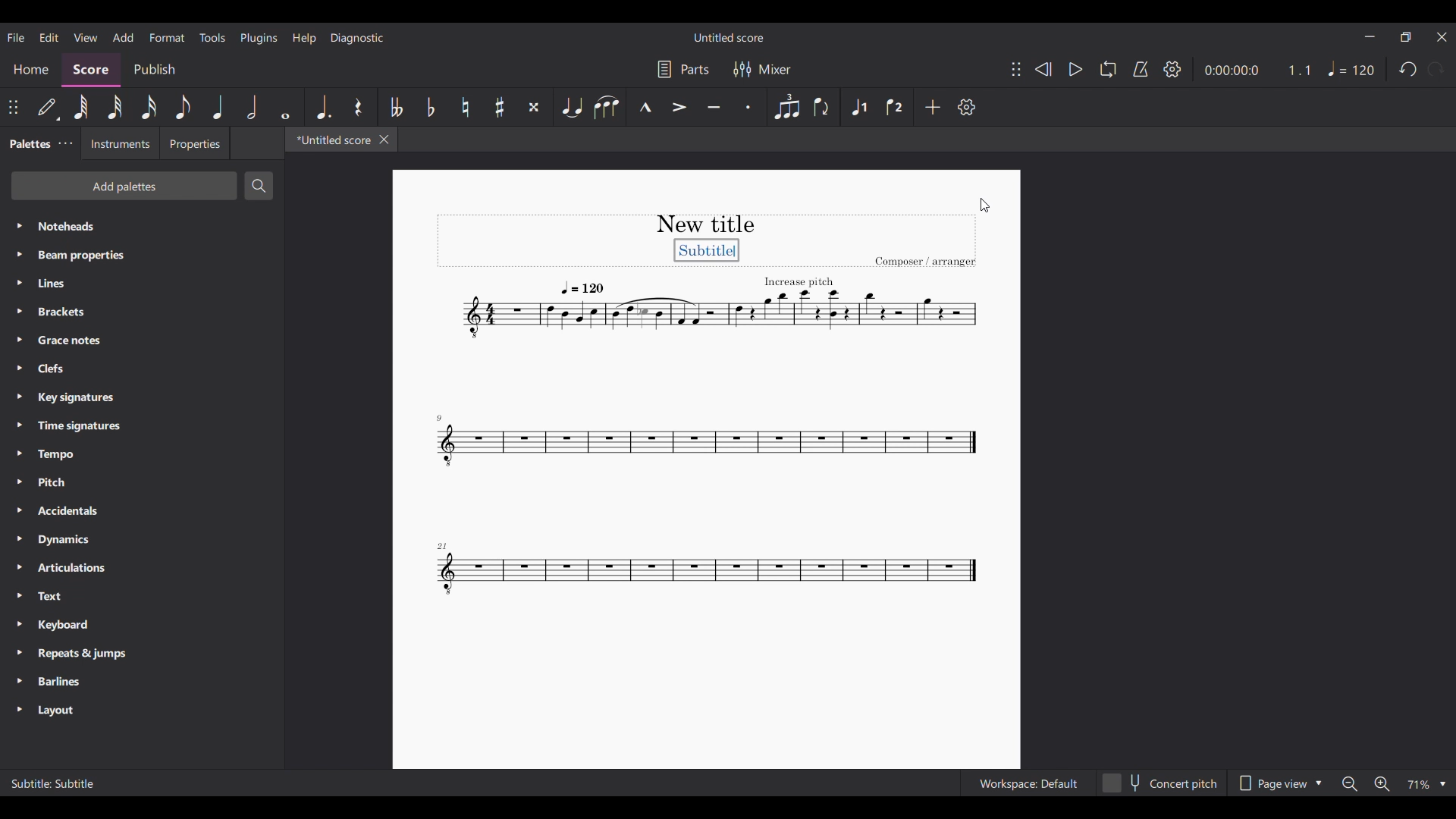  What do you see at coordinates (1162, 783) in the screenshot?
I see `Concert pitch toggle` at bounding box center [1162, 783].